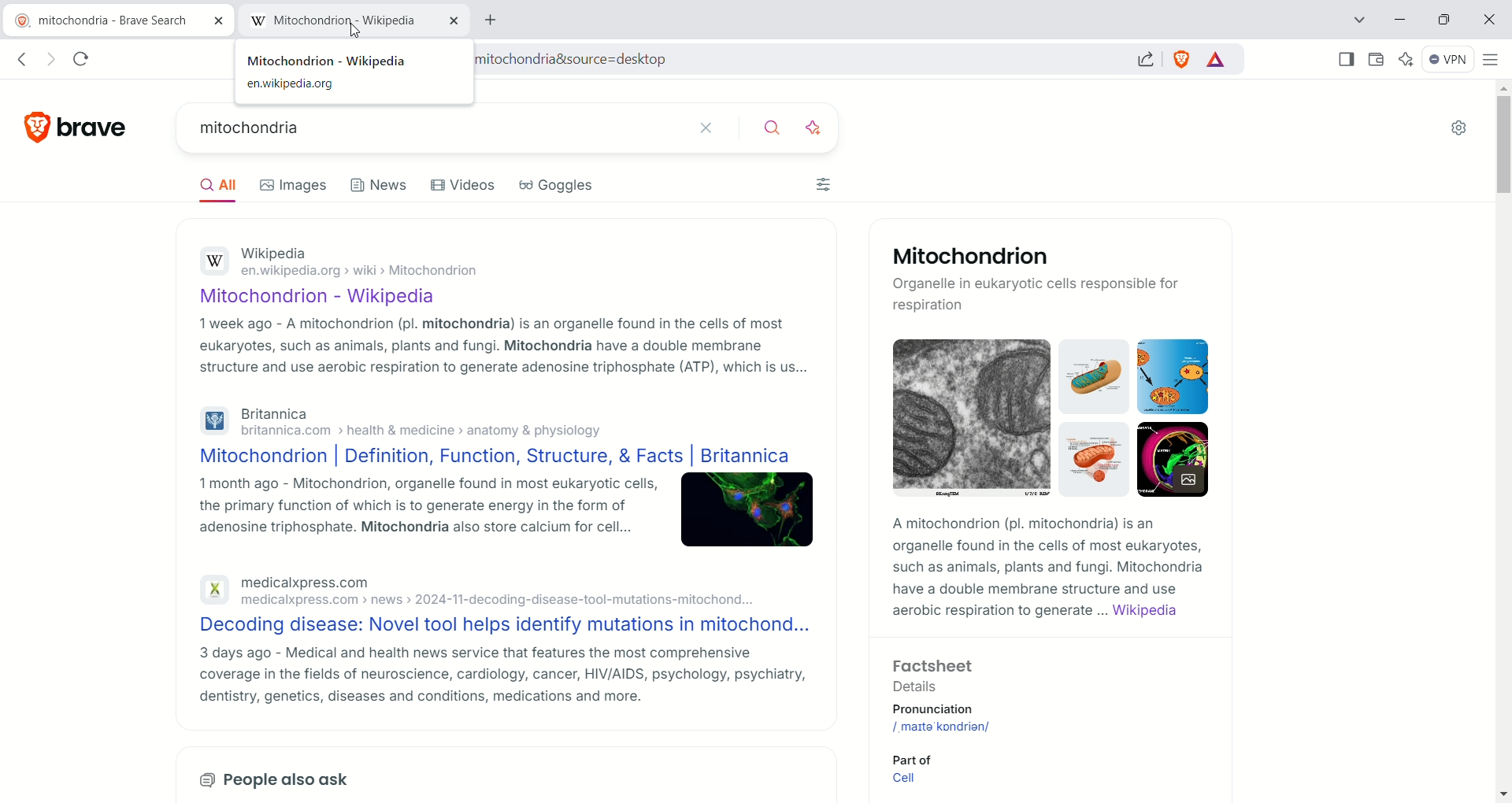  What do you see at coordinates (971, 253) in the screenshot?
I see `Mitochondrion` at bounding box center [971, 253].